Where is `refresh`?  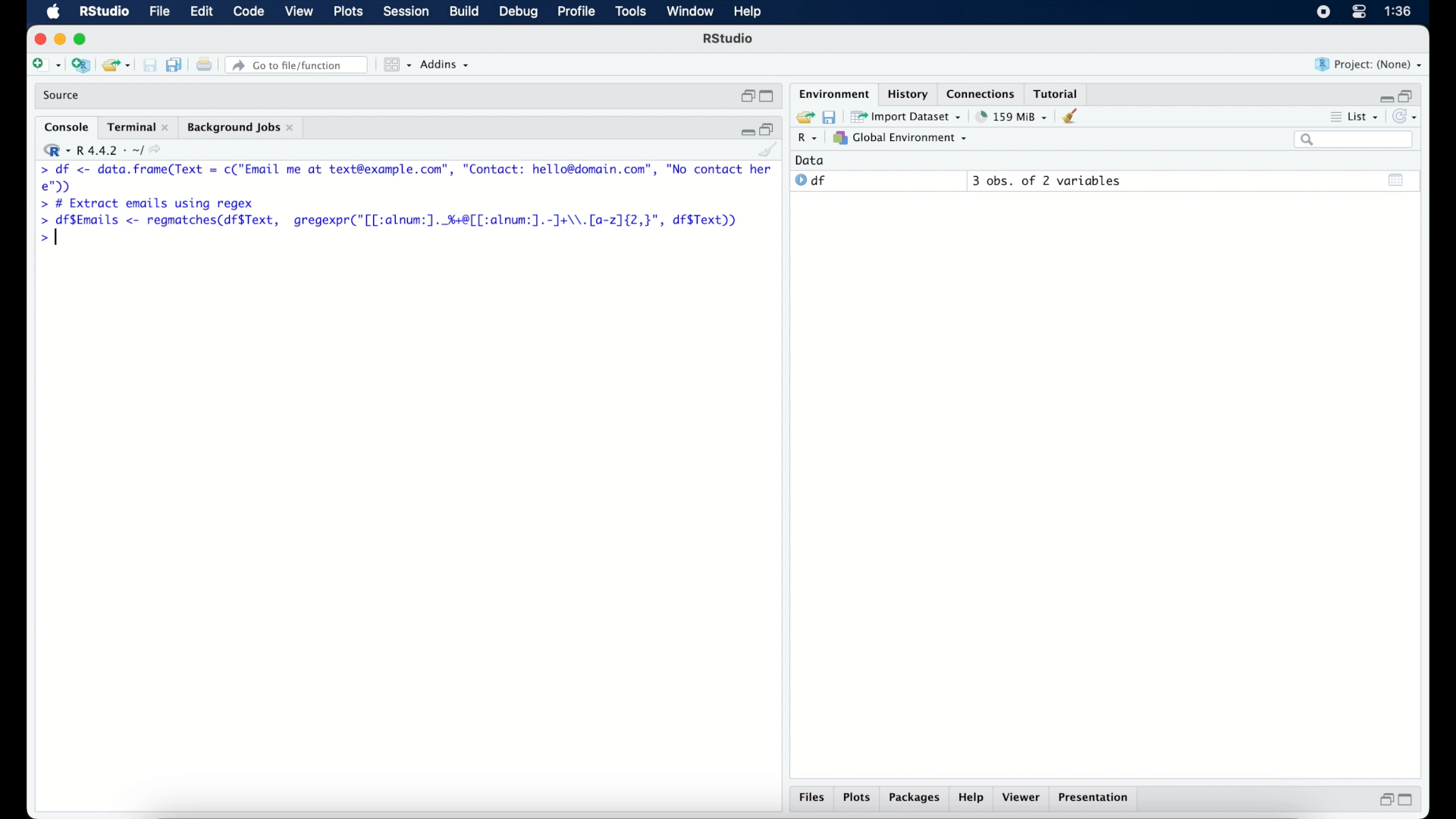
refresh is located at coordinates (1409, 117).